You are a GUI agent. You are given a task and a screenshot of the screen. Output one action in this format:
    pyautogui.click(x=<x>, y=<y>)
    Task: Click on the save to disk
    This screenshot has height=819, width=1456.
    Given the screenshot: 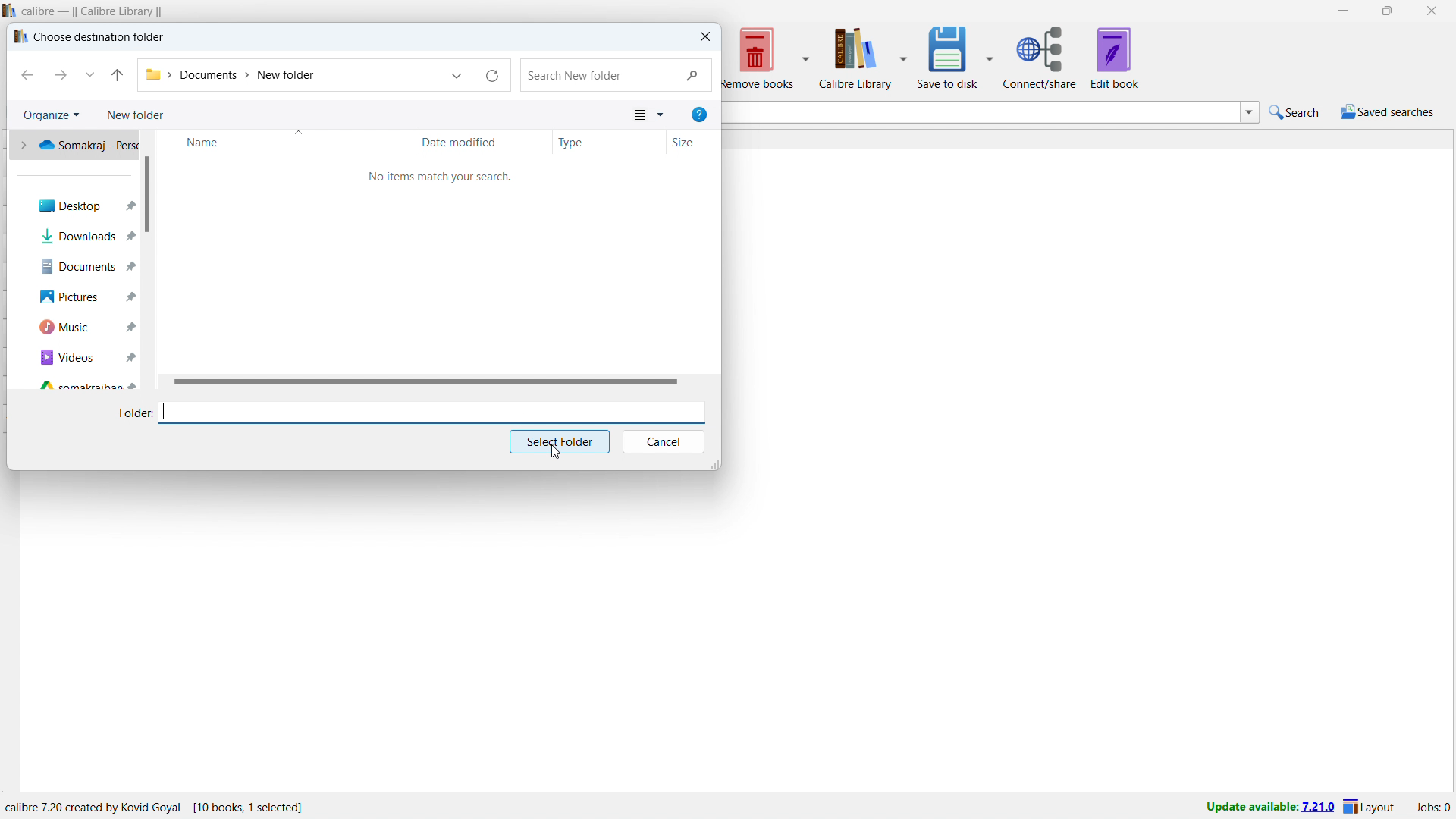 What is the action you would take?
    pyautogui.click(x=947, y=58)
    